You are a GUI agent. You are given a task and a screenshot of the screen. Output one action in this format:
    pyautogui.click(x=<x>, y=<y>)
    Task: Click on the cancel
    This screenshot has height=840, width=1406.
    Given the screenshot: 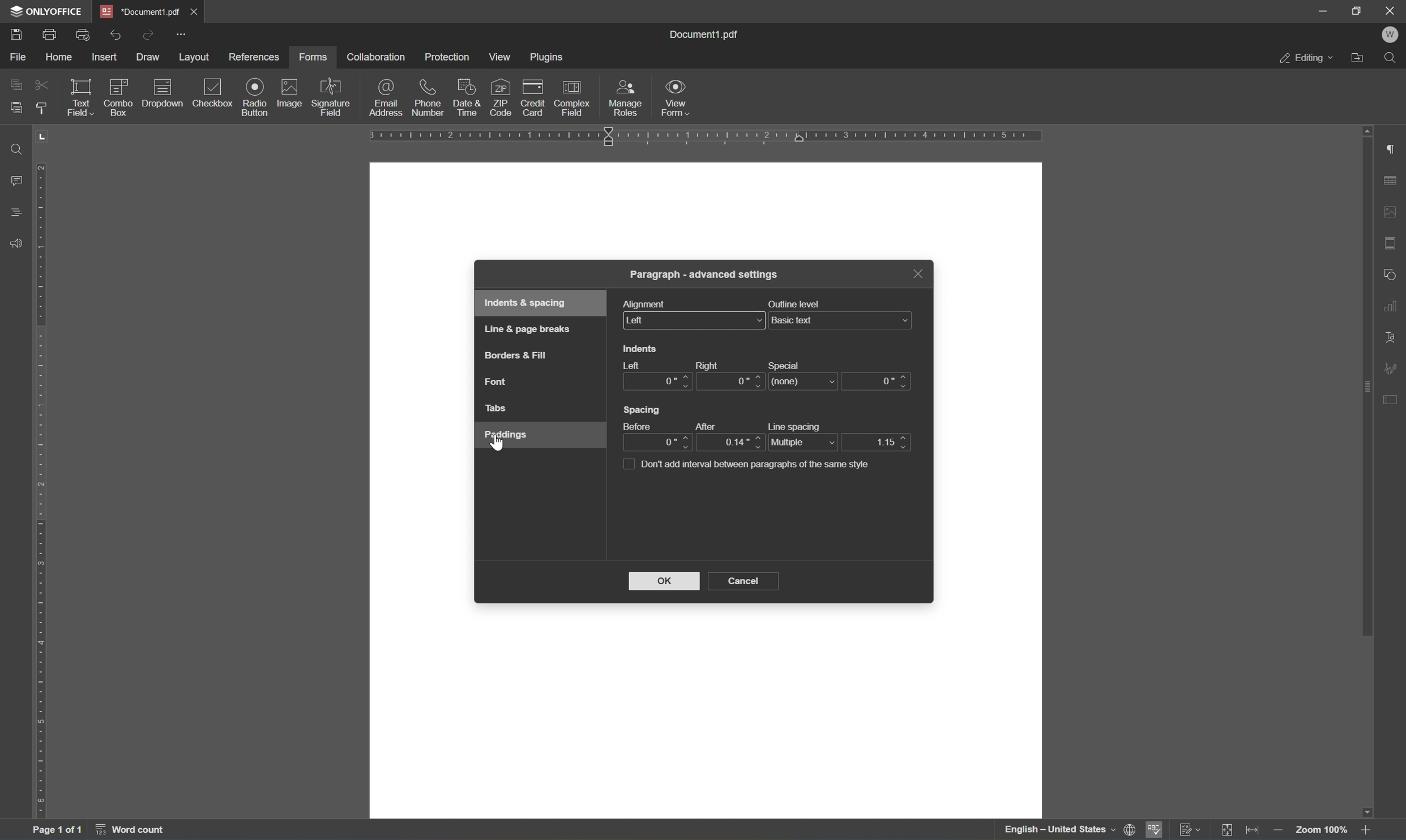 What is the action you would take?
    pyautogui.click(x=748, y=580)
    